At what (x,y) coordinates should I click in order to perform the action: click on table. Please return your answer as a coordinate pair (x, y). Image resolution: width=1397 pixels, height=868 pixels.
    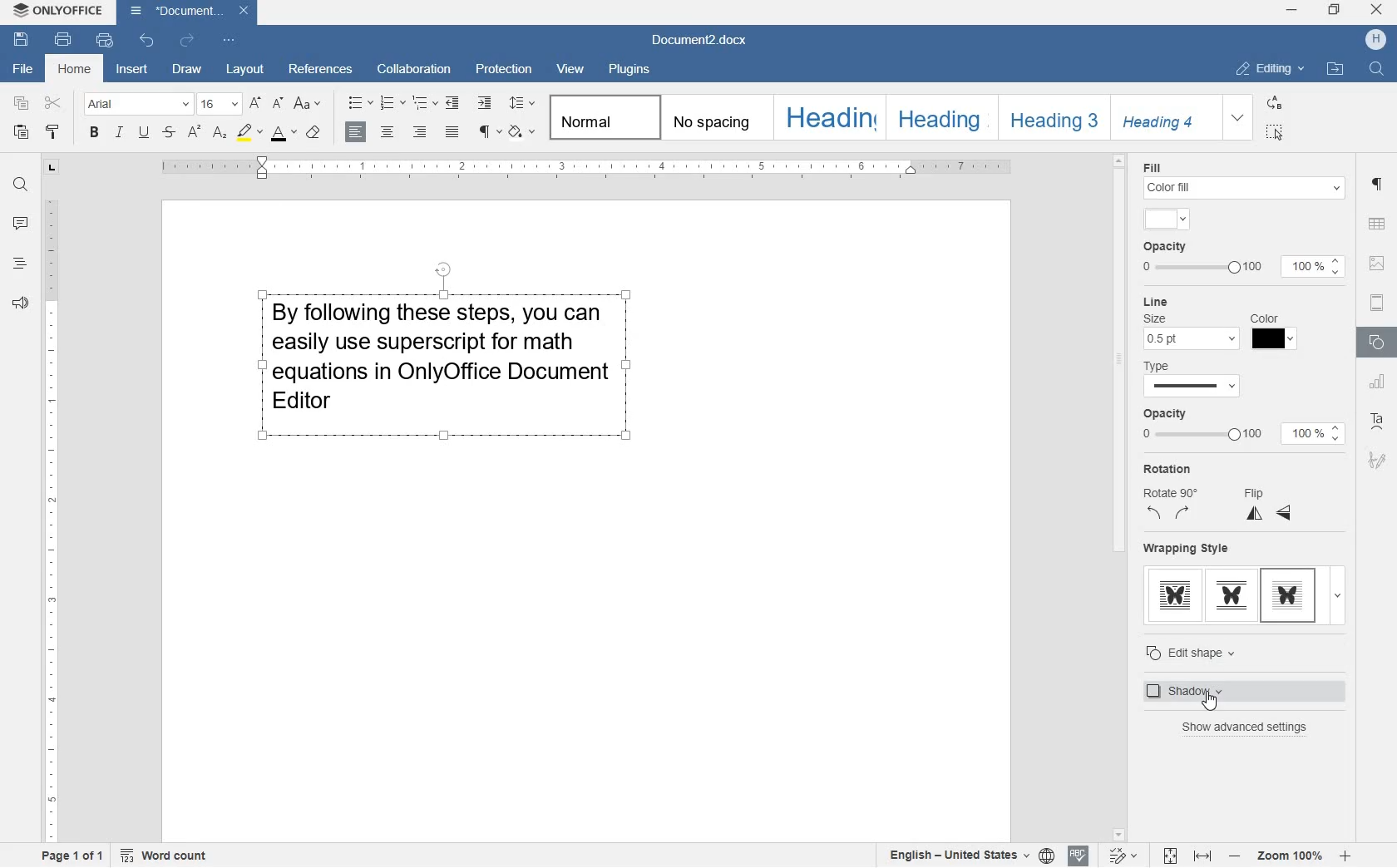
    Looking at the image, I should click on (1378, 225).